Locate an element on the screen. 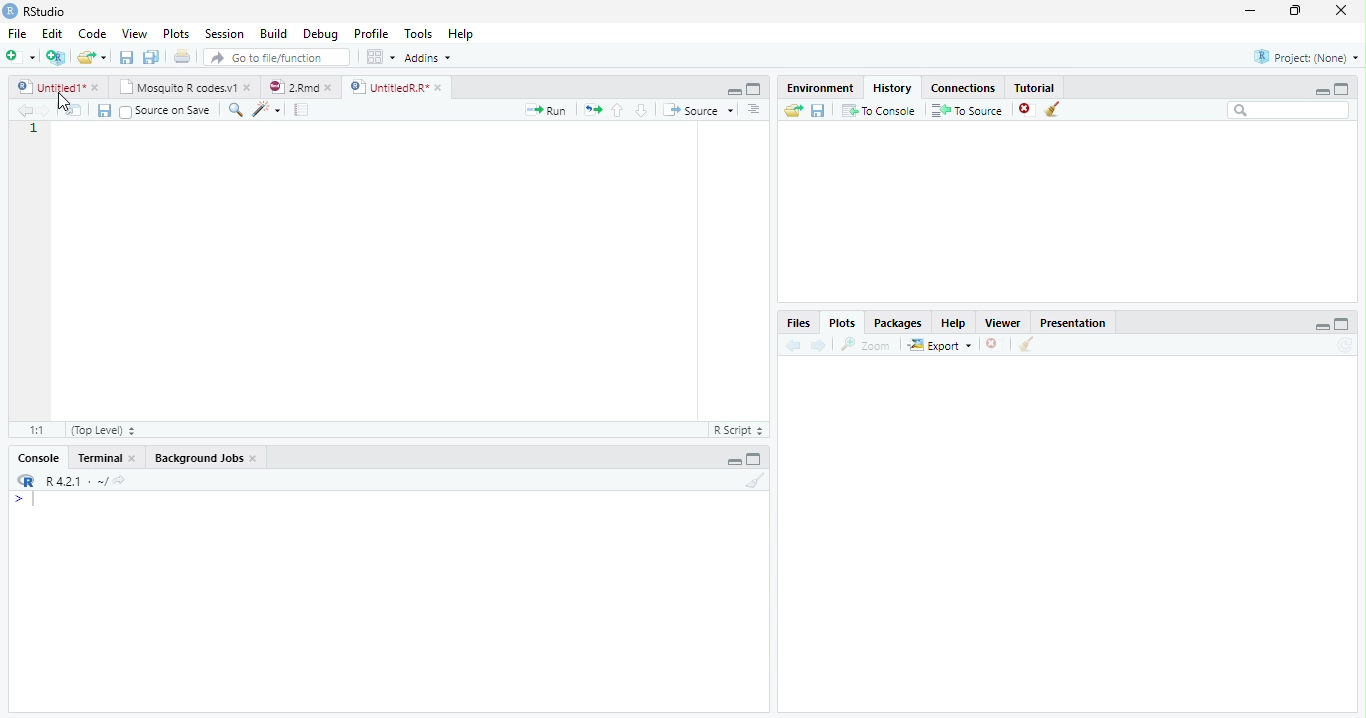  Open recent files is located at coordinates (104, 57).